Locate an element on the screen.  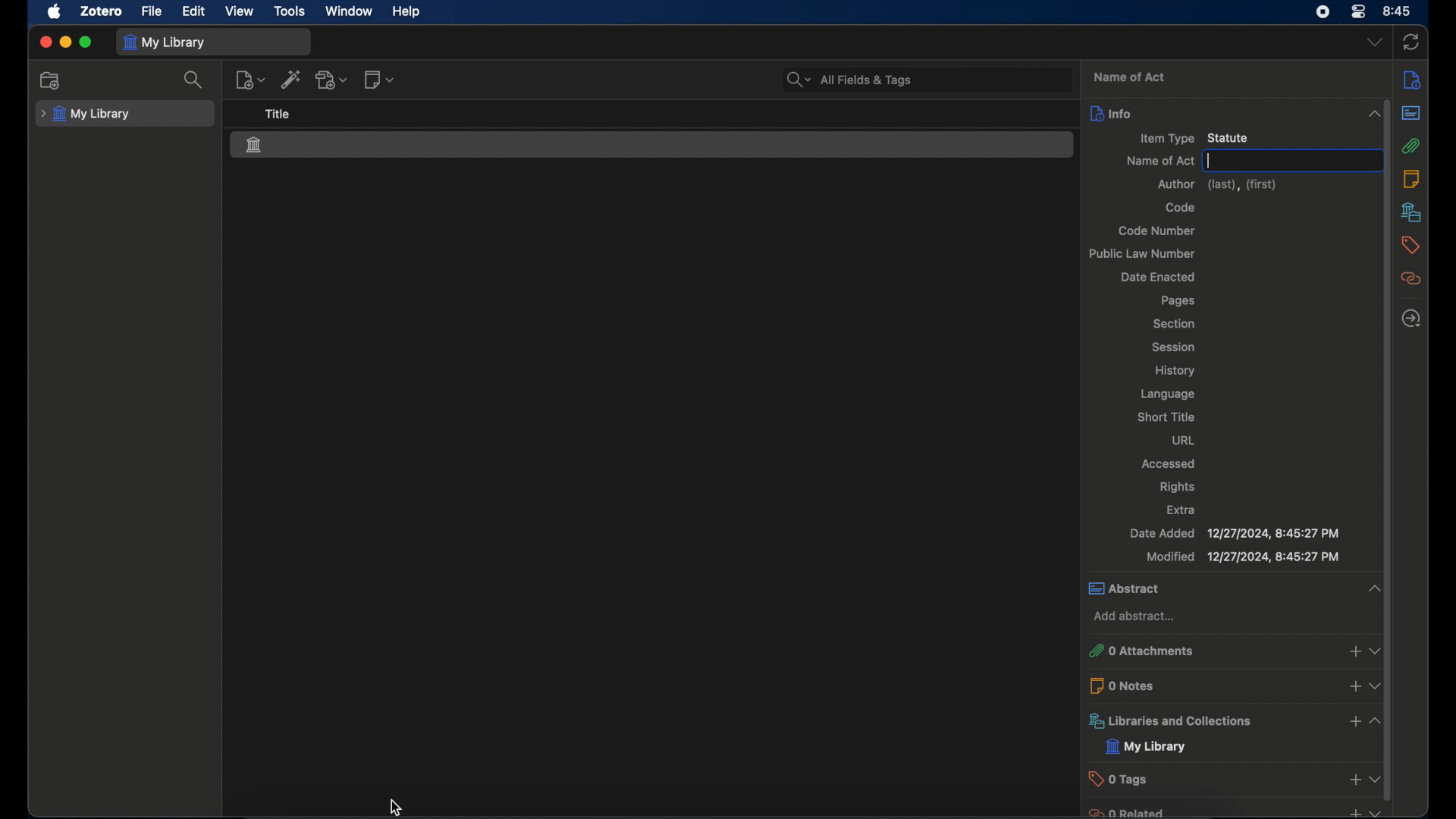
name of act is located at coordinates (1159, 161).